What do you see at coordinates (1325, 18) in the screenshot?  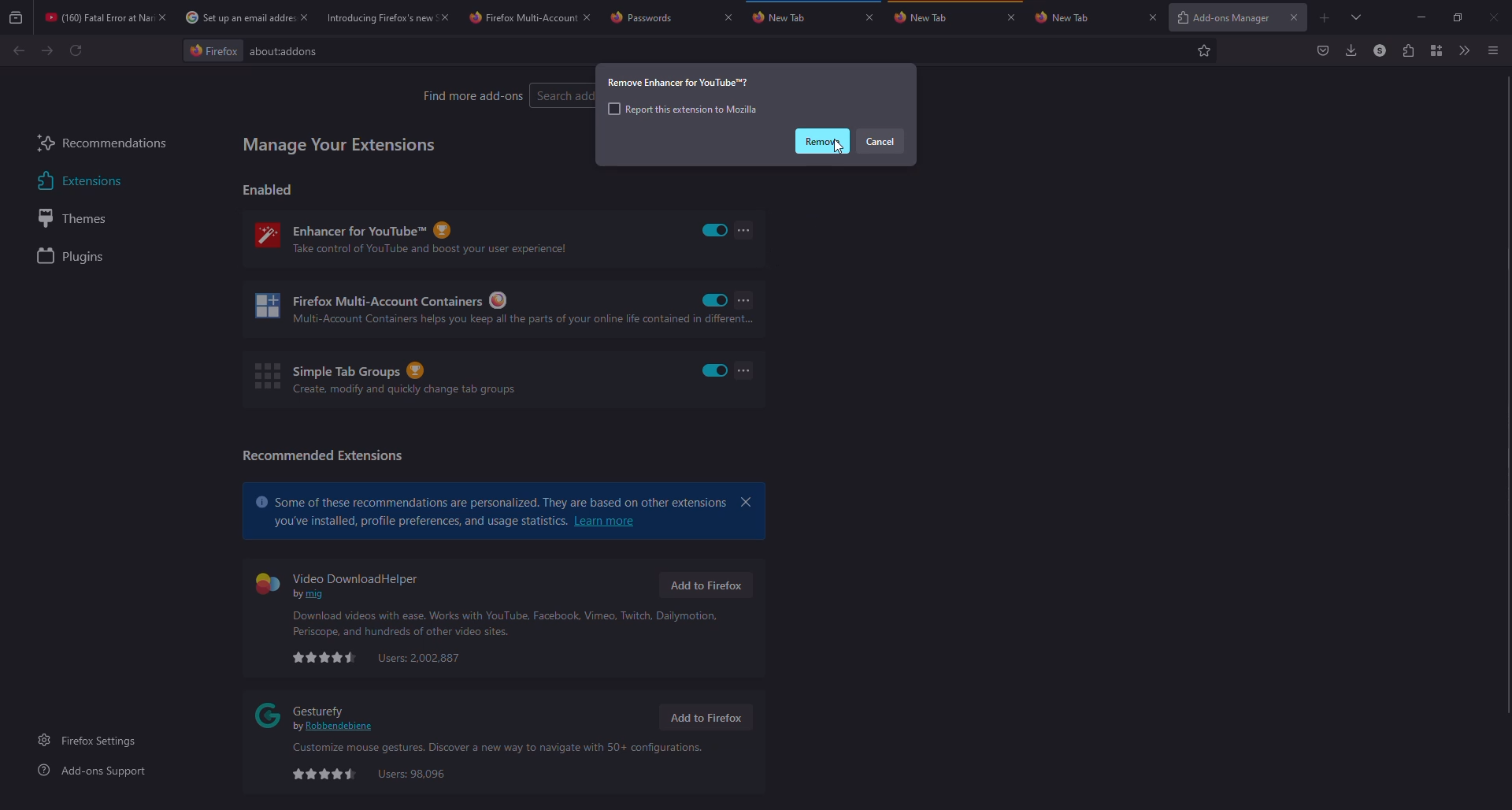 I see `add` at bounding box center [1325, 18].